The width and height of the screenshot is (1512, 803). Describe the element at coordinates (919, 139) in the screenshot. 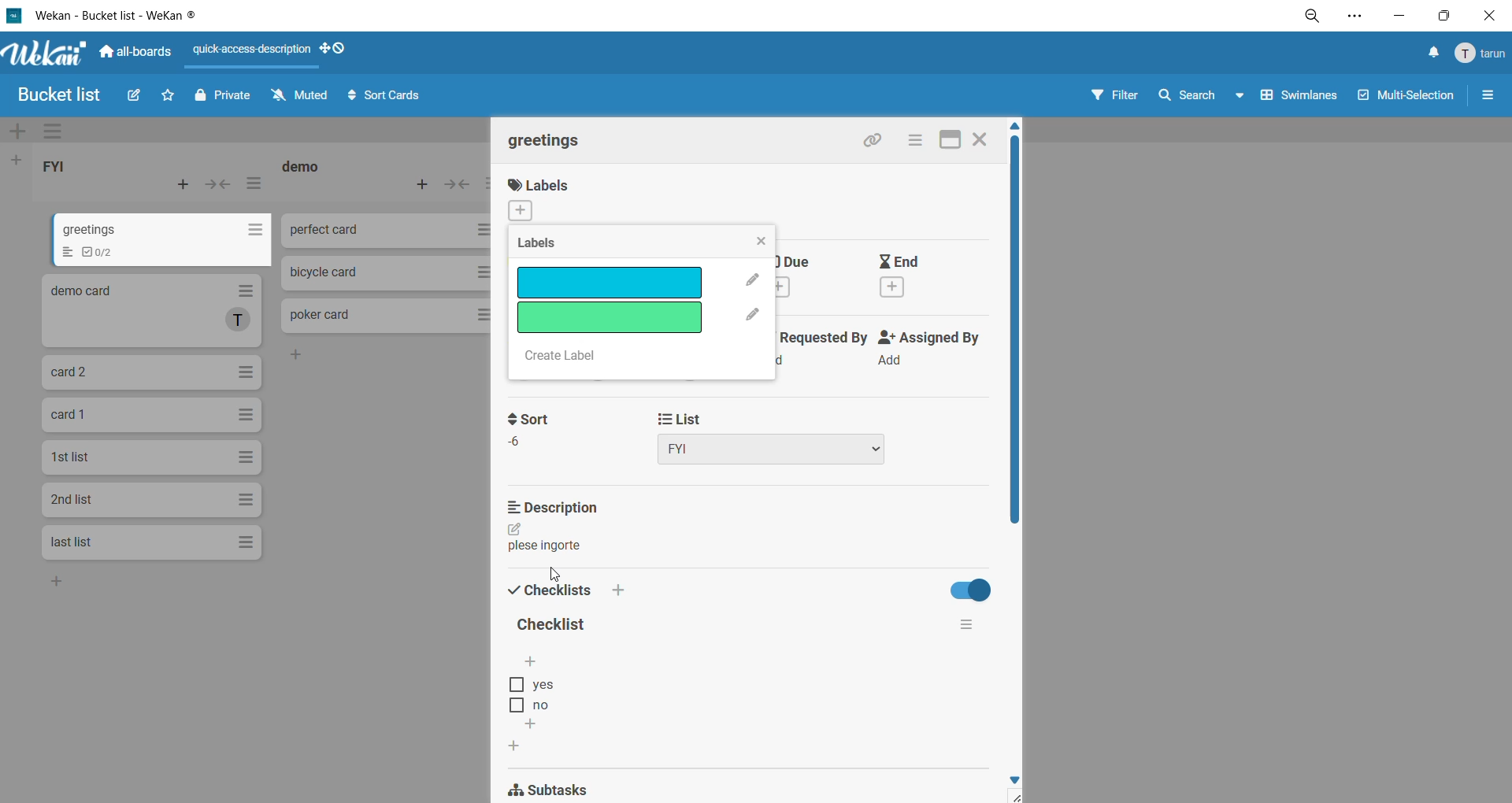

I see `card actions` at that location.